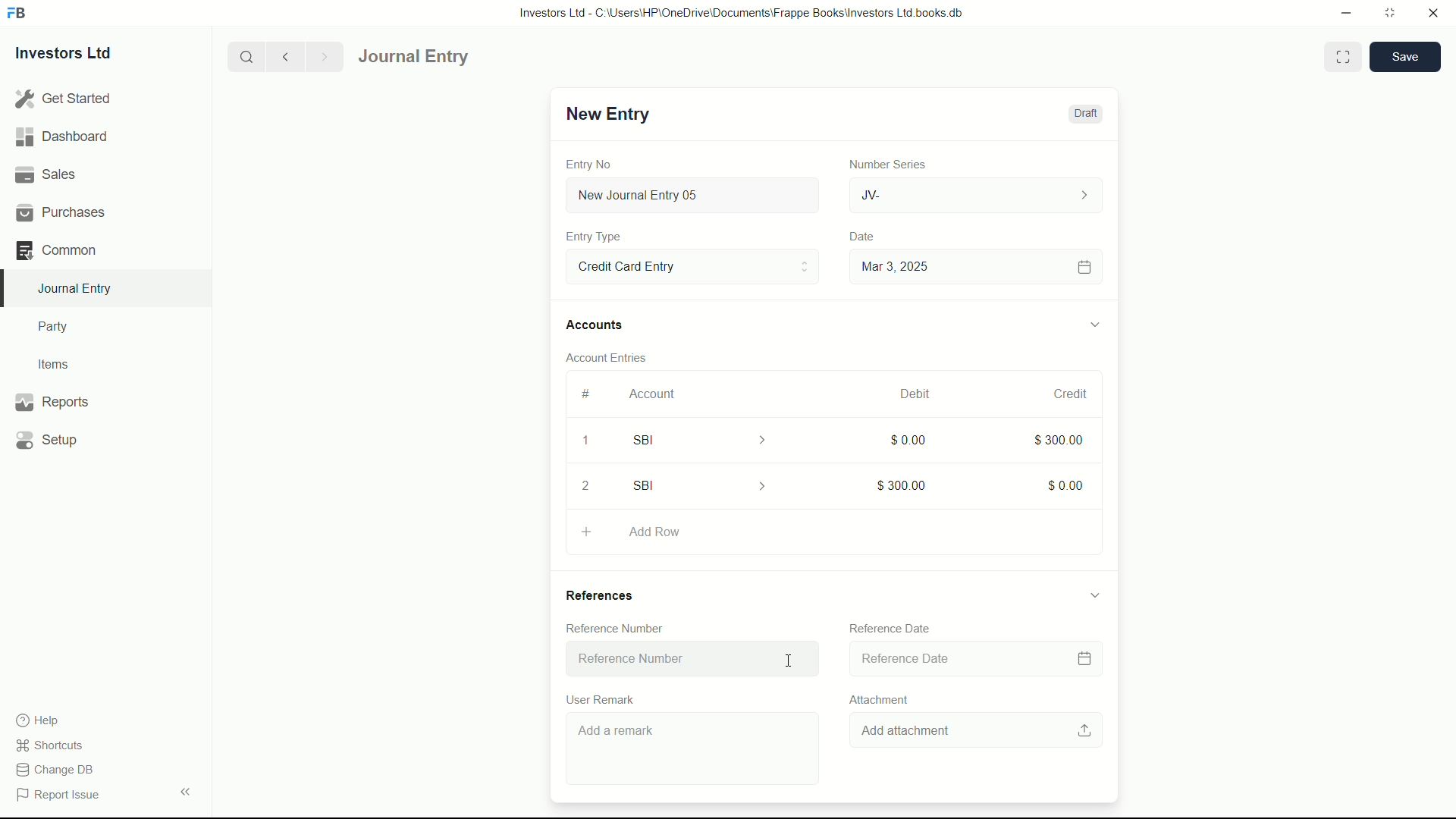 The height and width of the screenshot is (819, 1456). I want to click on close, so click(1434, 14).